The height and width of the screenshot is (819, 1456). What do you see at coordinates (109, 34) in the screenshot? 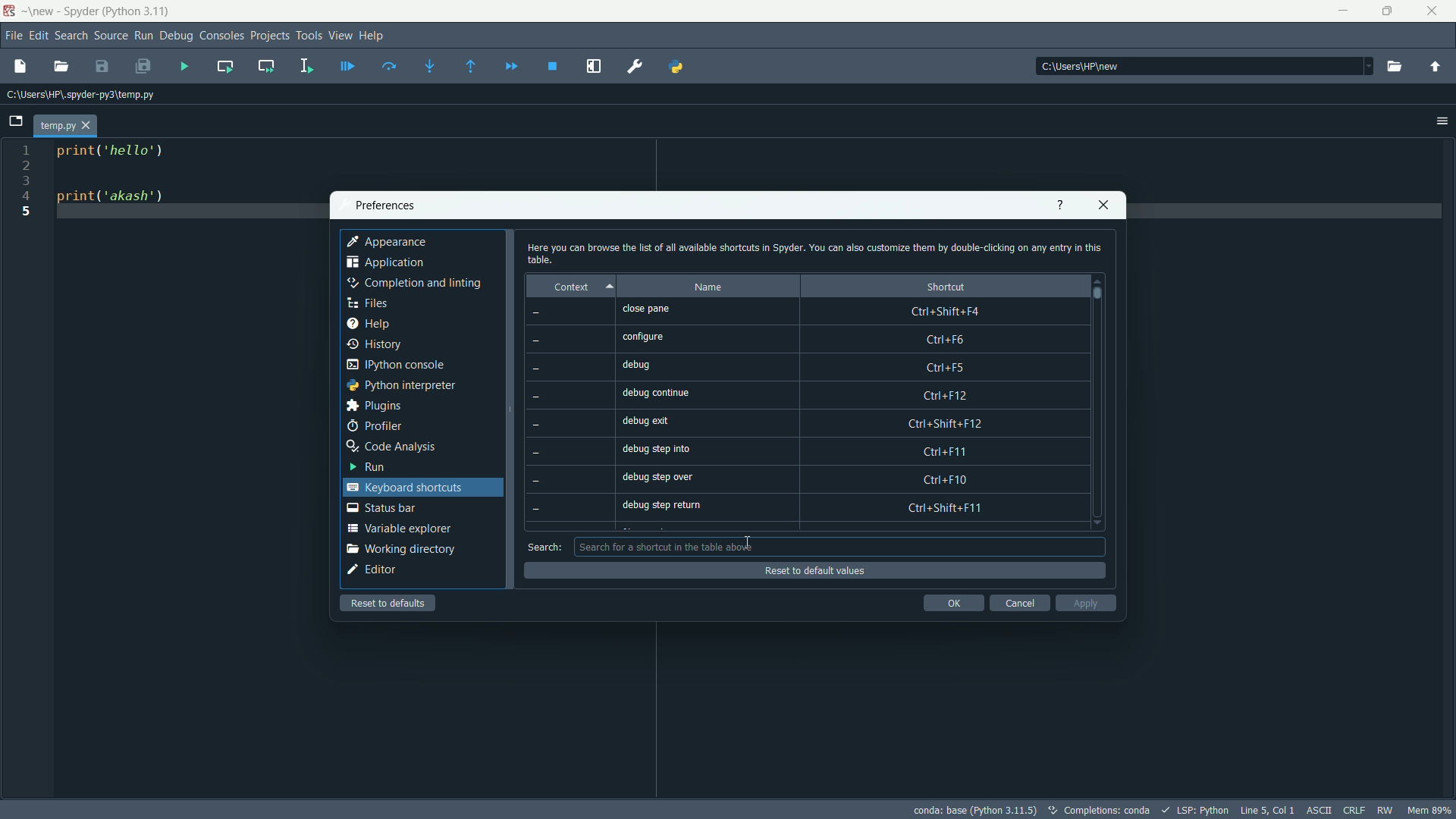
I see `source men` at bounding box center [109, 34].